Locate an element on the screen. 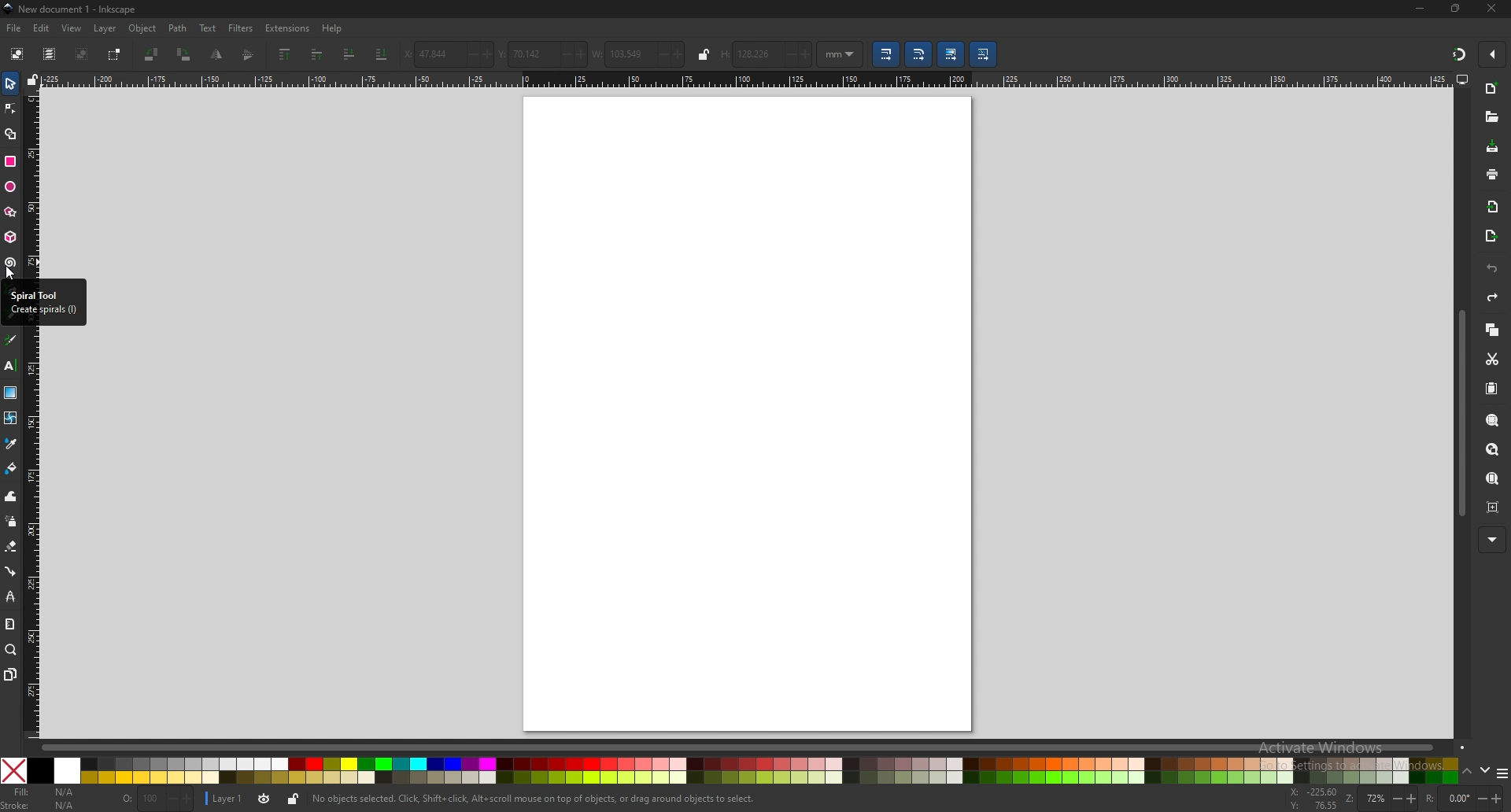 Image resolution: width=1511 pixels, height=812 pixels. rotate 90 degree ccw is located at coordinates (151, 54).